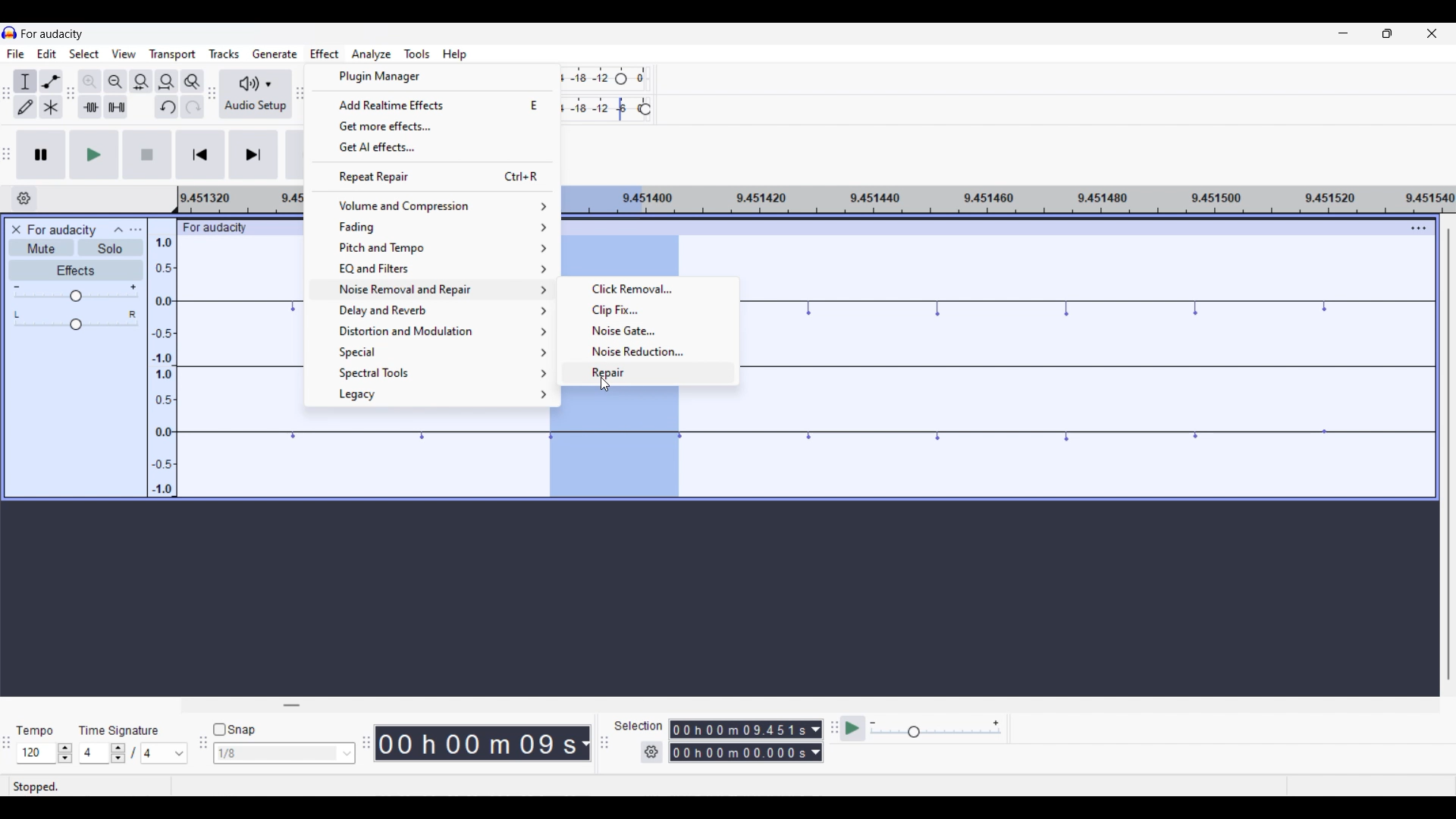 The width and height of the screenshot is (1456, 819). I want to click on Record/Record new track, so click(296, 155).